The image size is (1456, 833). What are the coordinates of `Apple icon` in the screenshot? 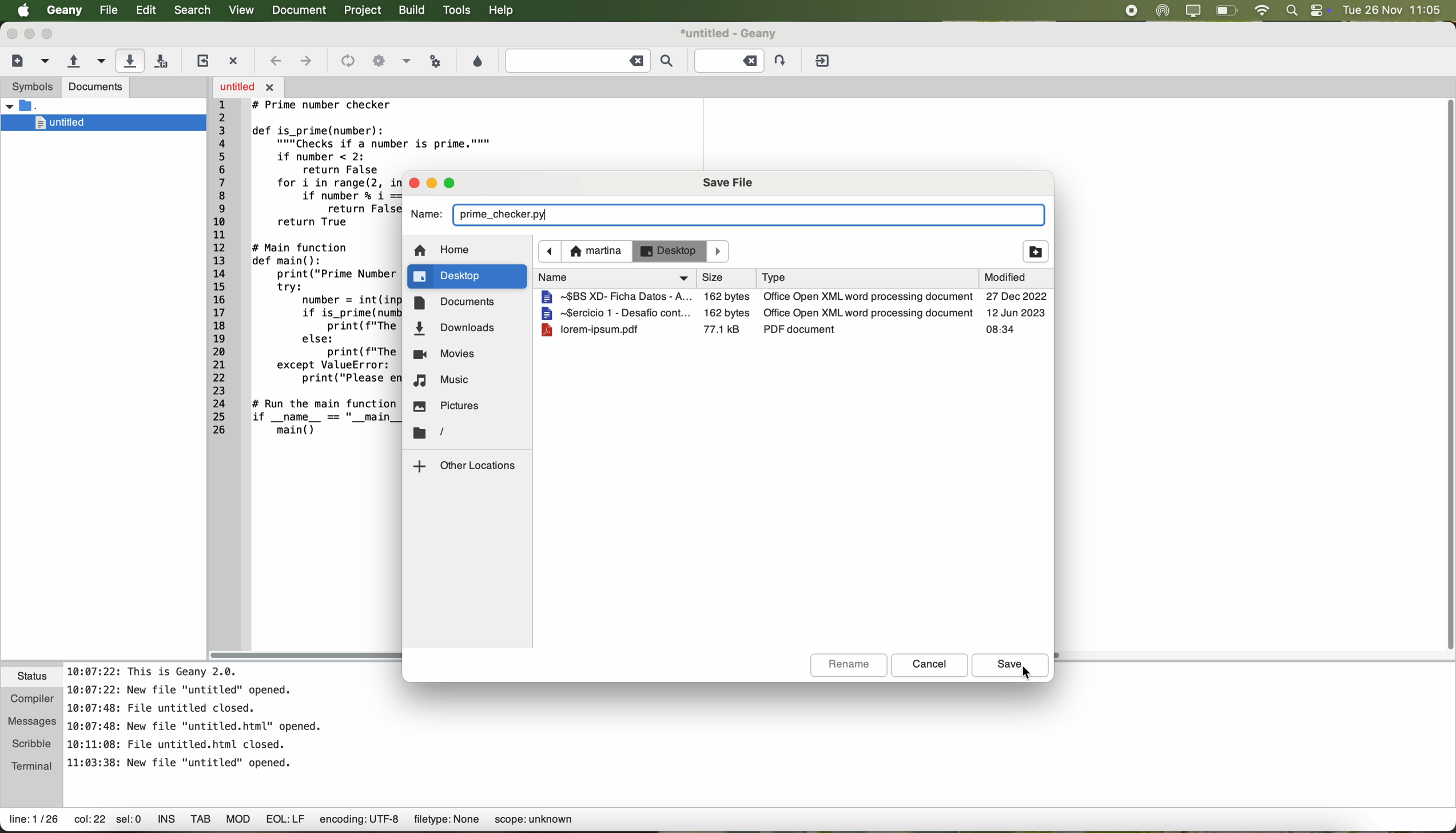 It's located at (18, 10).